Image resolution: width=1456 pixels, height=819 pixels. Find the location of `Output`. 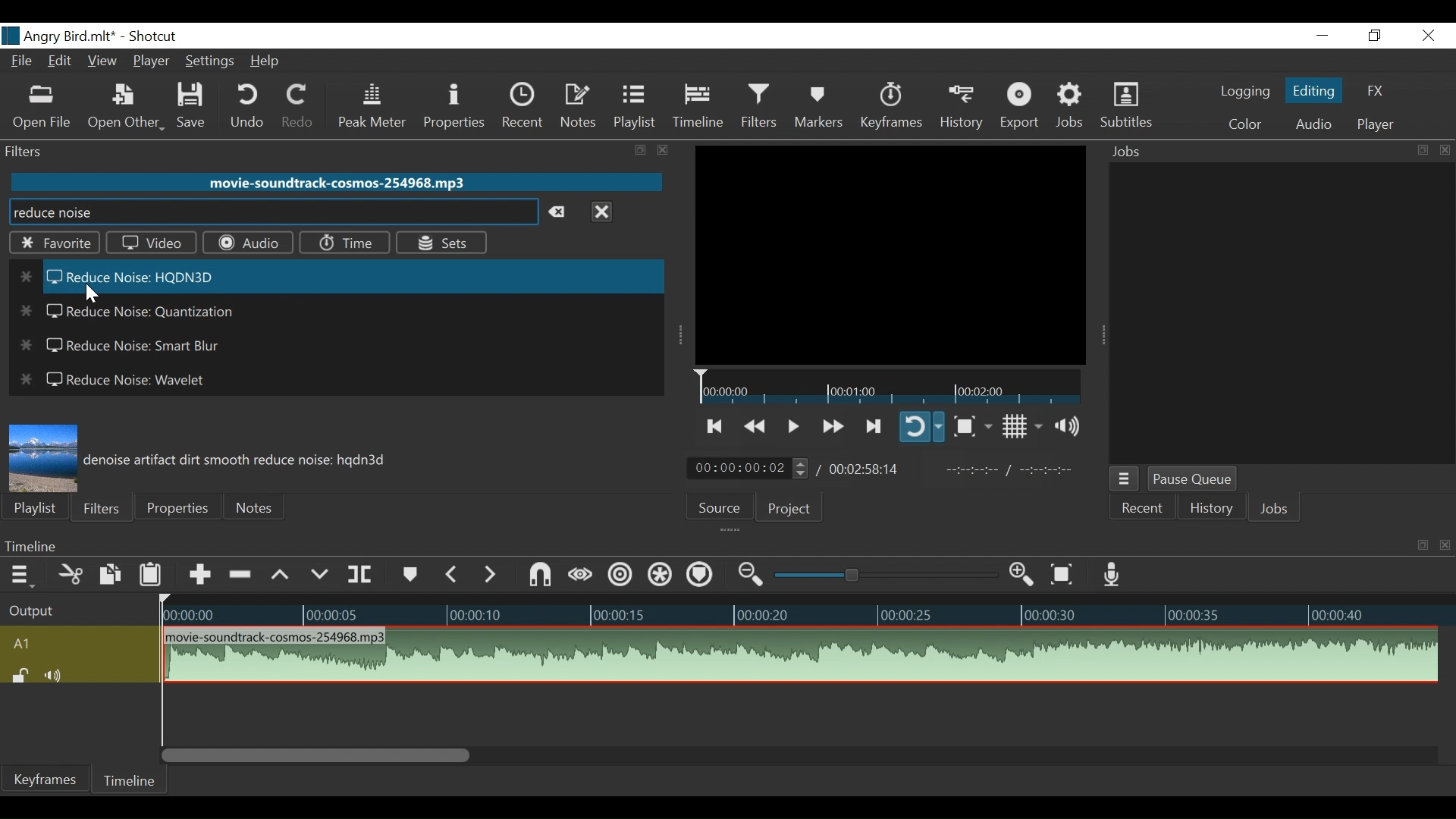

Output is located at coordinates (74, 607).